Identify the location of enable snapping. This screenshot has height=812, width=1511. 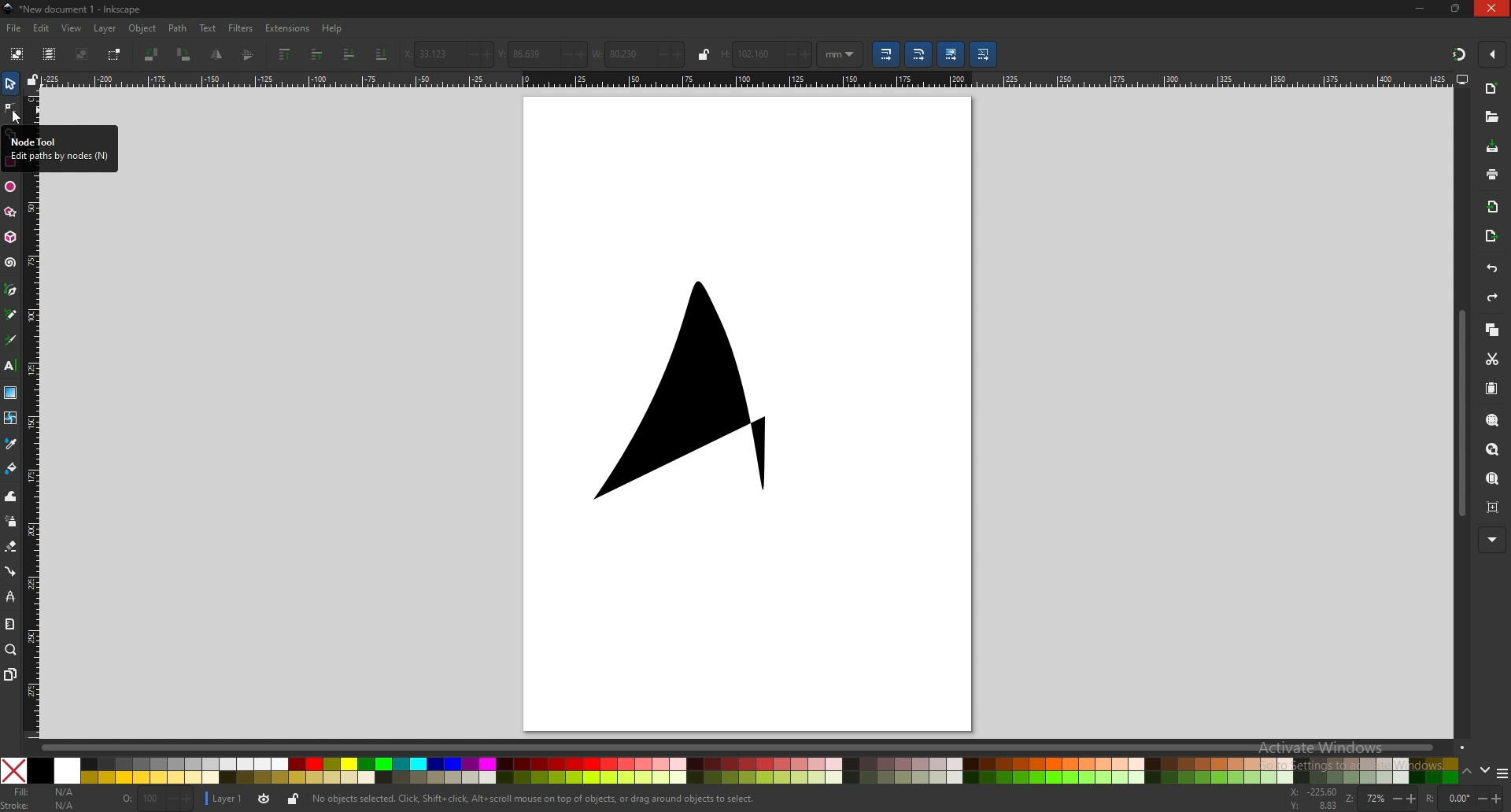
(1492, 53).